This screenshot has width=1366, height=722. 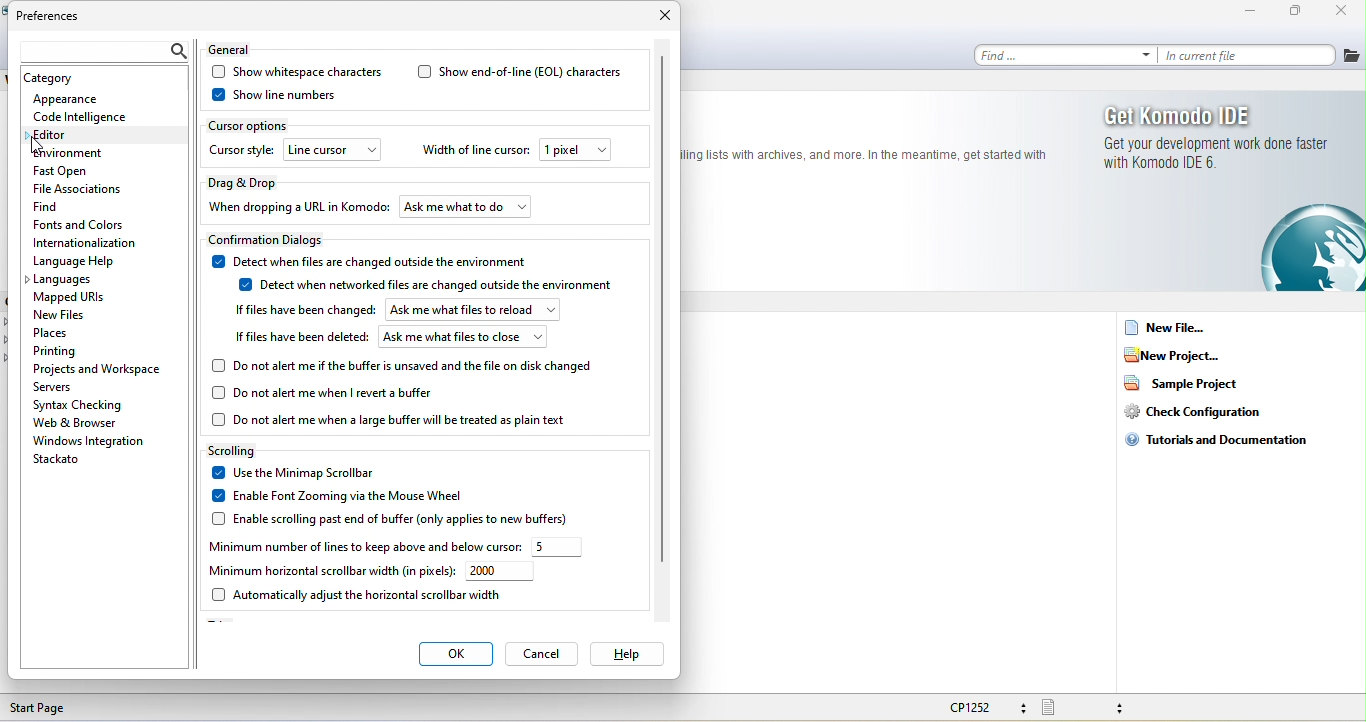 I want to click on files, so click(x=1352, y=56).